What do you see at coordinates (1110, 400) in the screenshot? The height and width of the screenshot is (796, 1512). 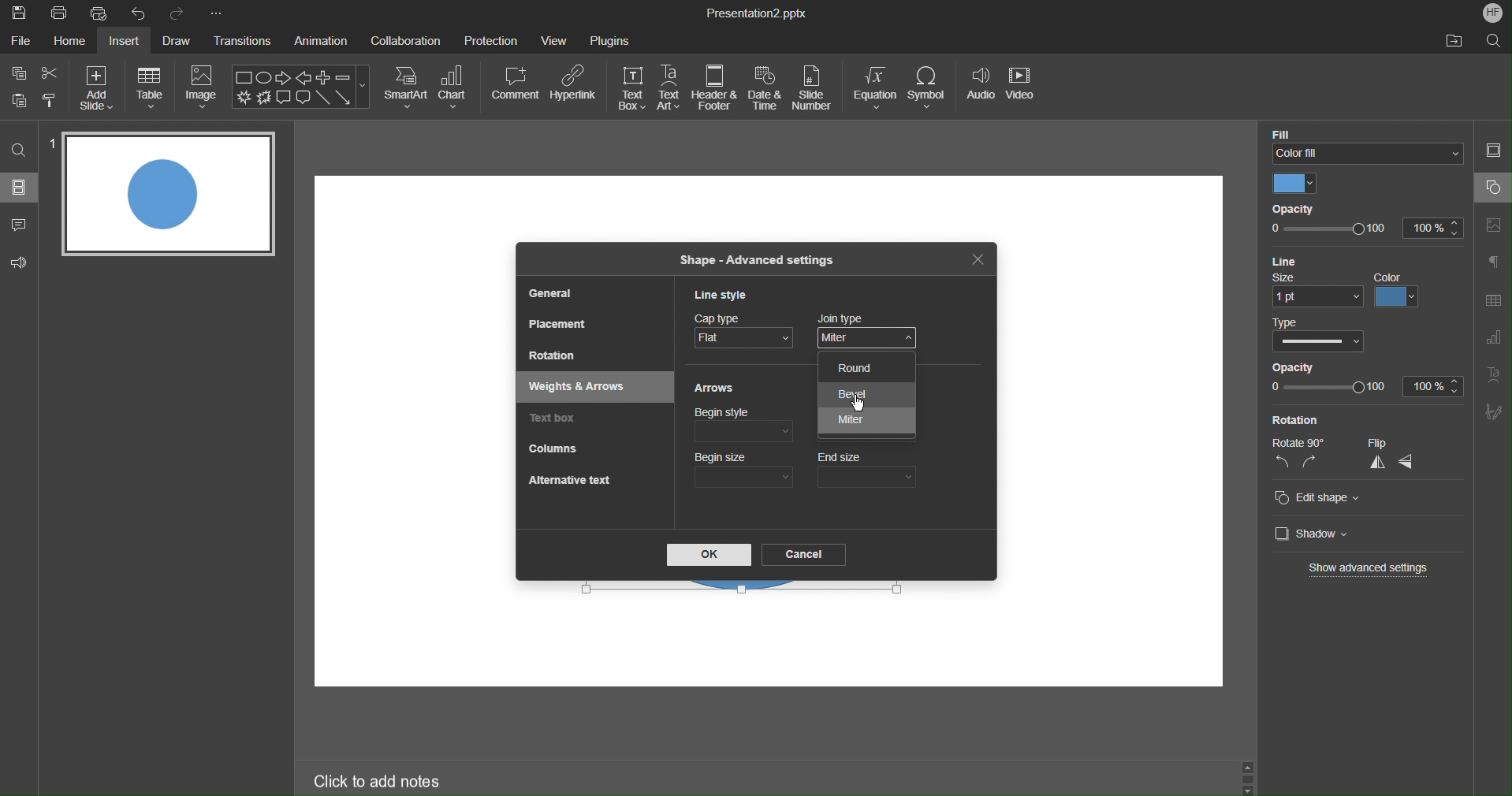 I see `workspace` at bounding box center [1110, 400].